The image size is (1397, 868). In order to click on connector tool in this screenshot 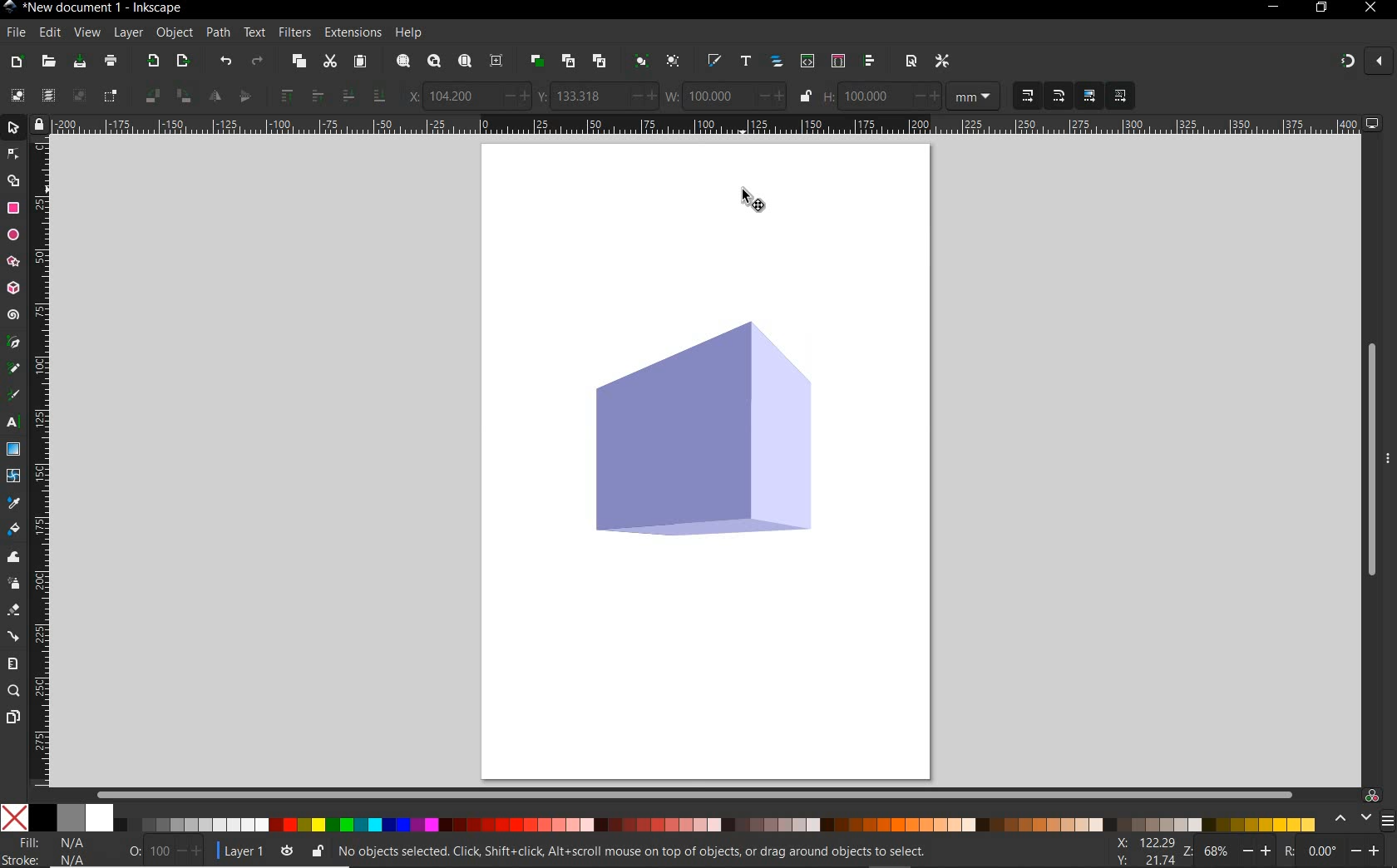, I will do `click(15, 637)`.